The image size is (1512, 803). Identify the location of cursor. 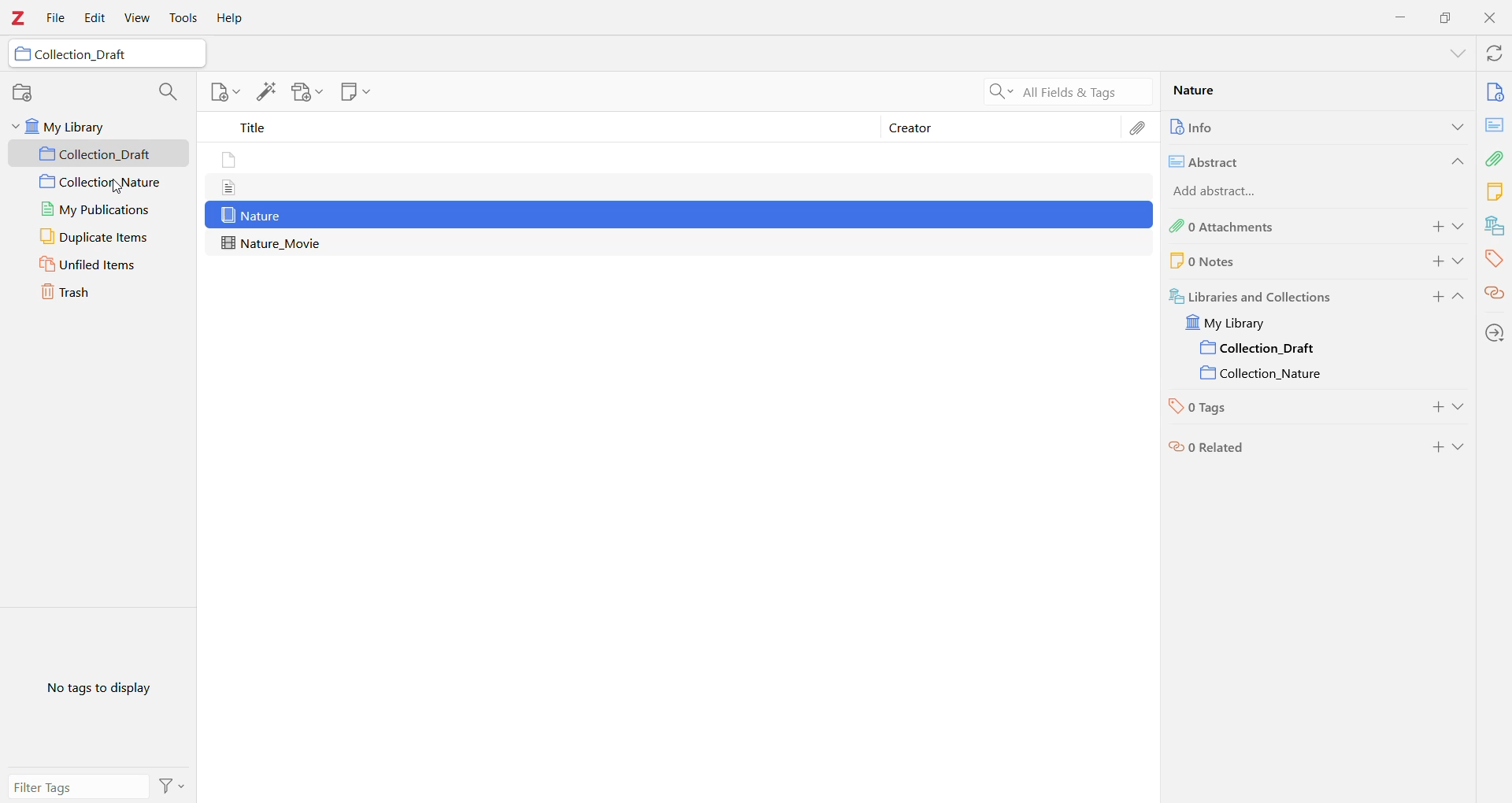
(128, 190).